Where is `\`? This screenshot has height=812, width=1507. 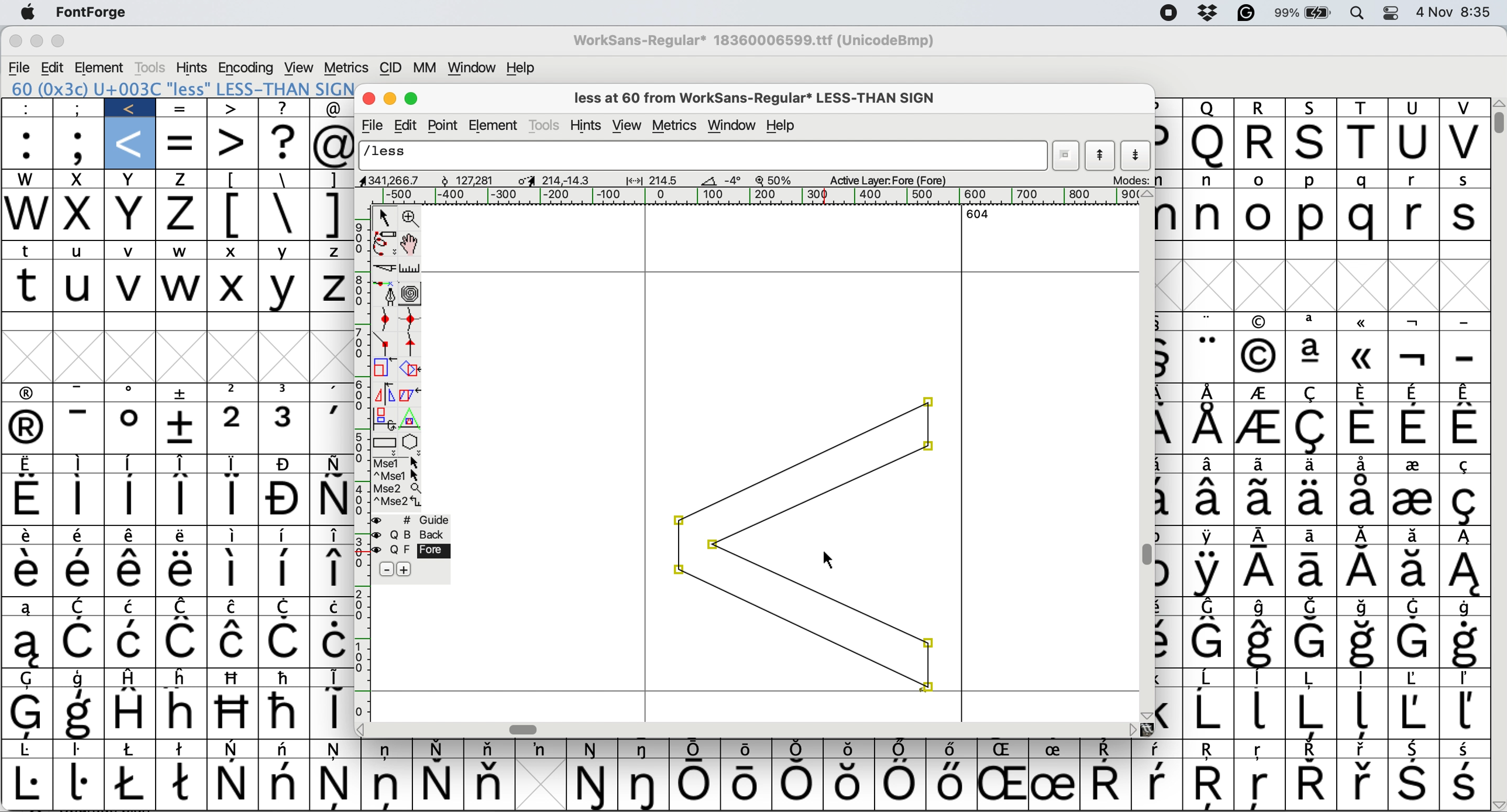
\ is located at coordinates (285, 213).